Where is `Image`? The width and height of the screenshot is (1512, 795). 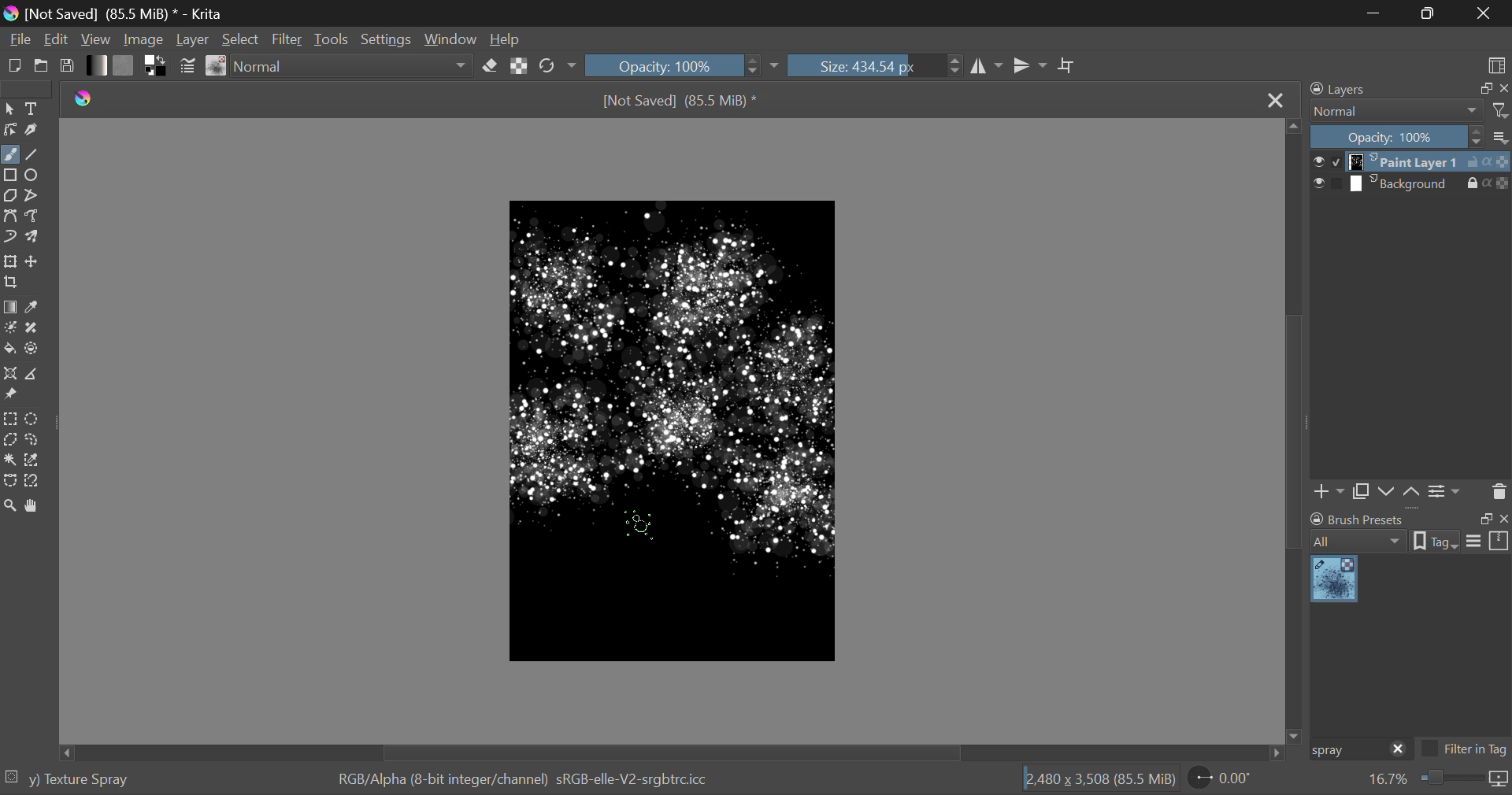 Image is located at coordinates (148, 38).